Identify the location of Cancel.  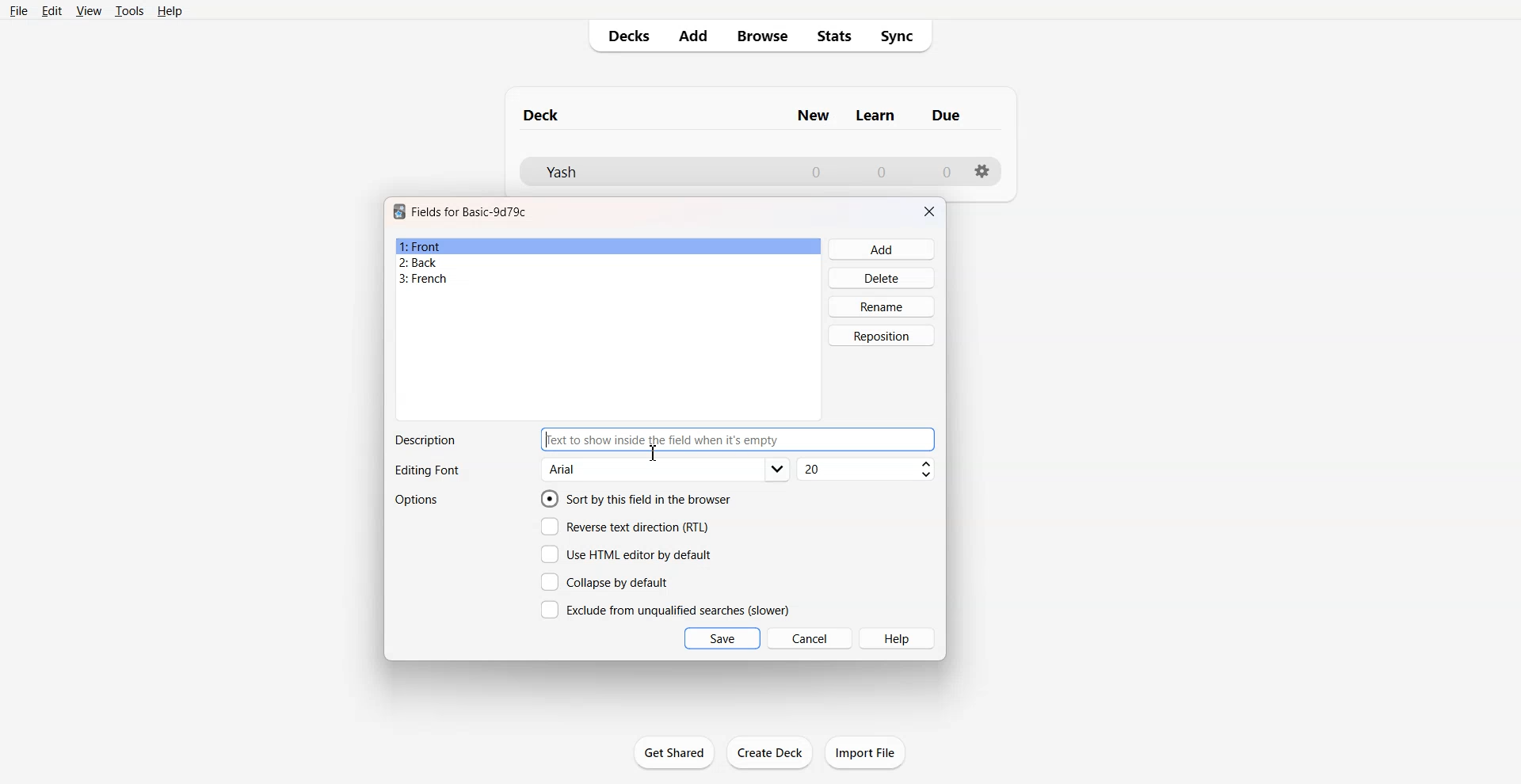
(810, 637).